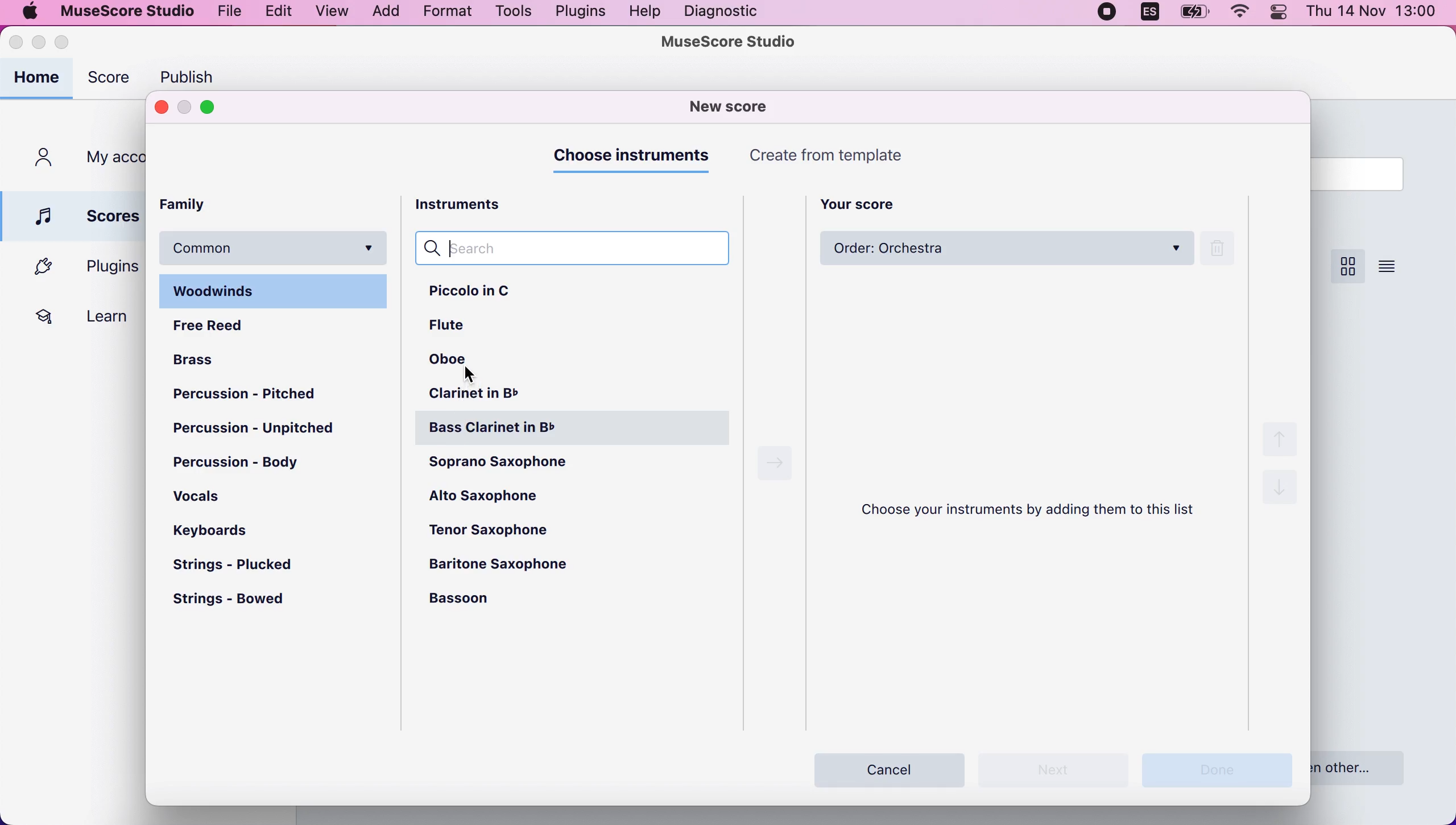 Image resolution: width=1456 pixels, height=825 pixels. Describe the element at coordinates (1107, 15) in the screenshot. I see `recording stopped` at that location.